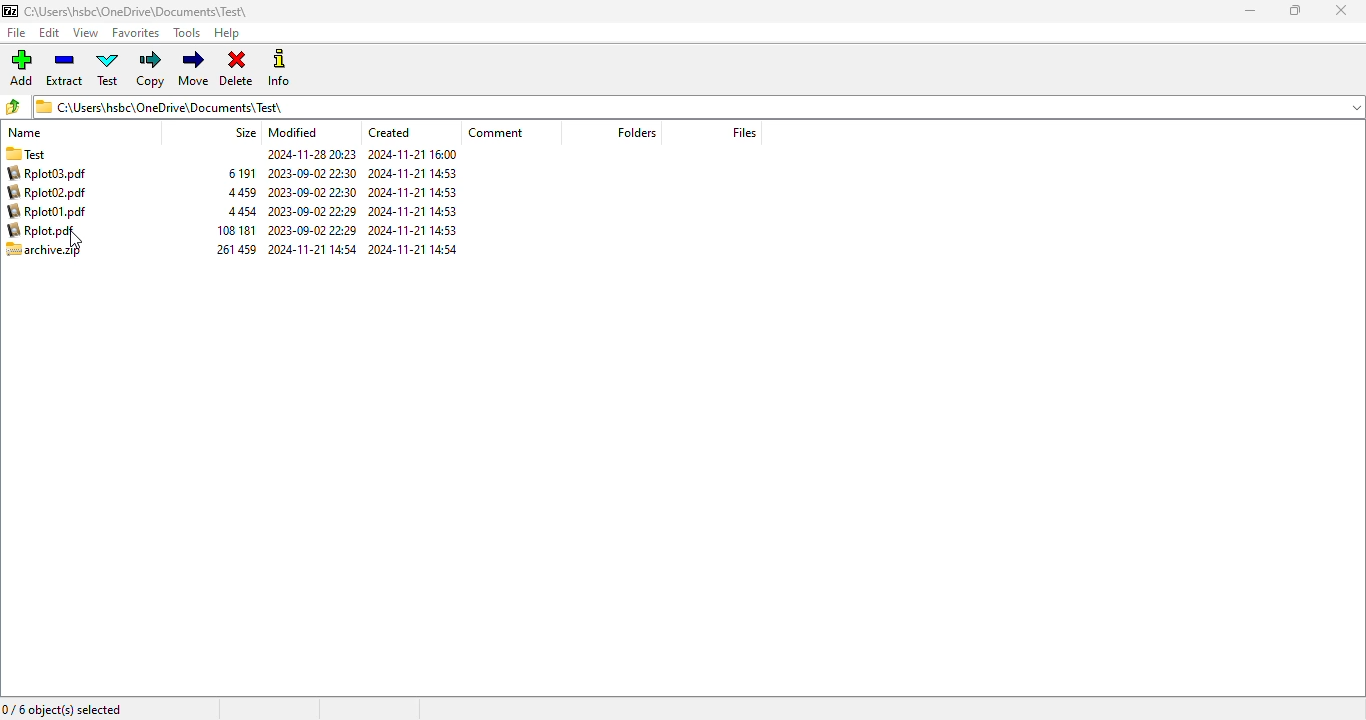 This screenshot has height=720, width=1366. Describe the element at coordinates (1295, 9) in the screenshot. I see `maximize` at that location.